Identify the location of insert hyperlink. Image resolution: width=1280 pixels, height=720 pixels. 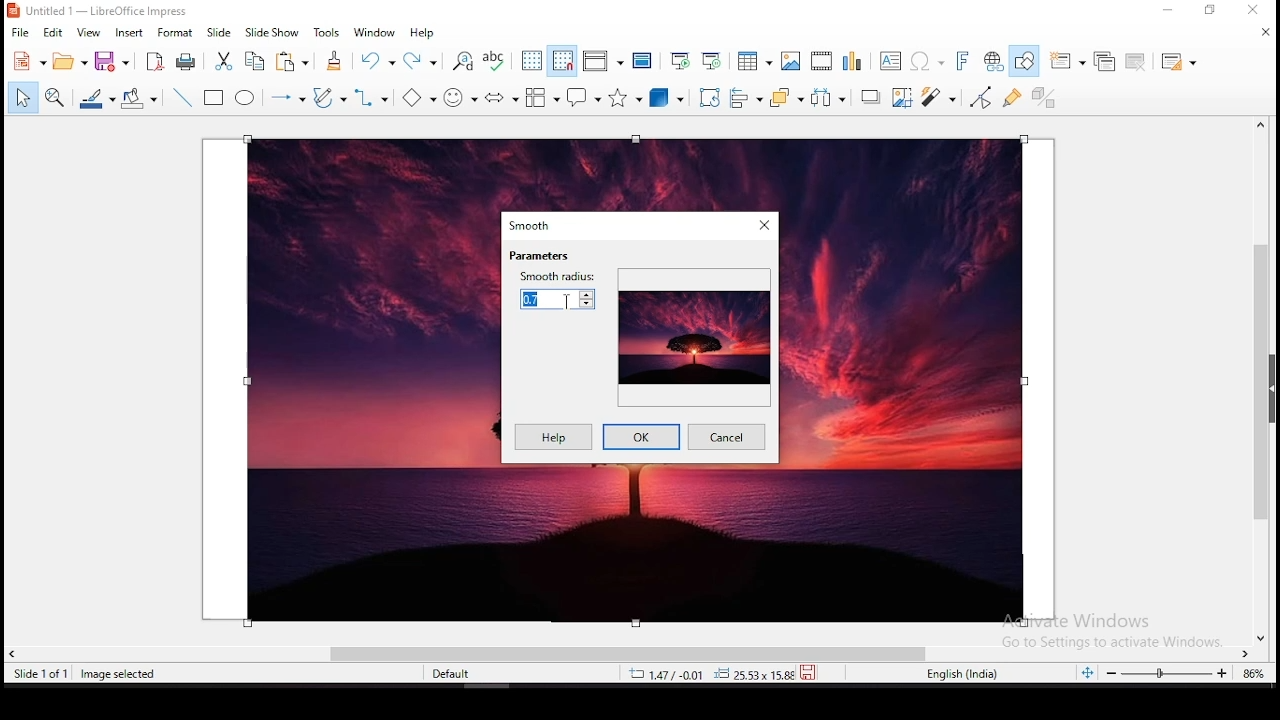
(996, 61).